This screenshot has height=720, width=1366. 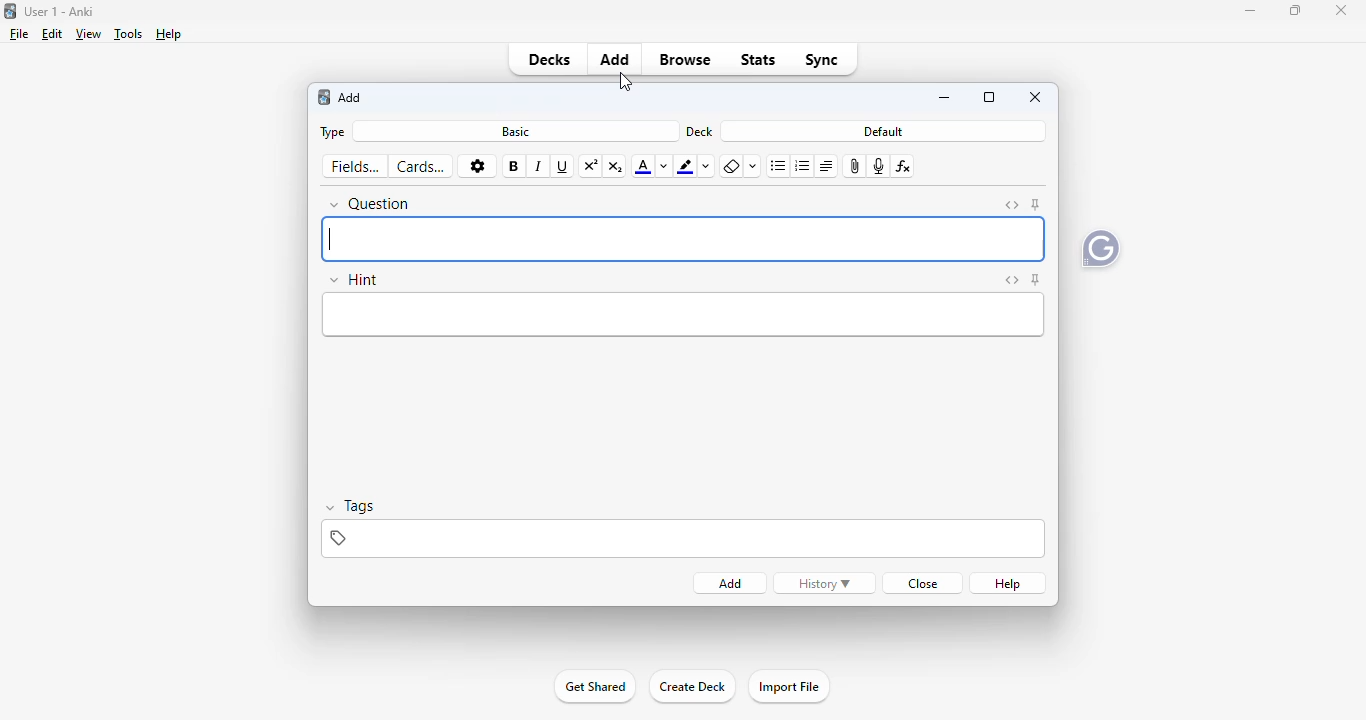 I want to click on get shared, so click(x=593, y=687).